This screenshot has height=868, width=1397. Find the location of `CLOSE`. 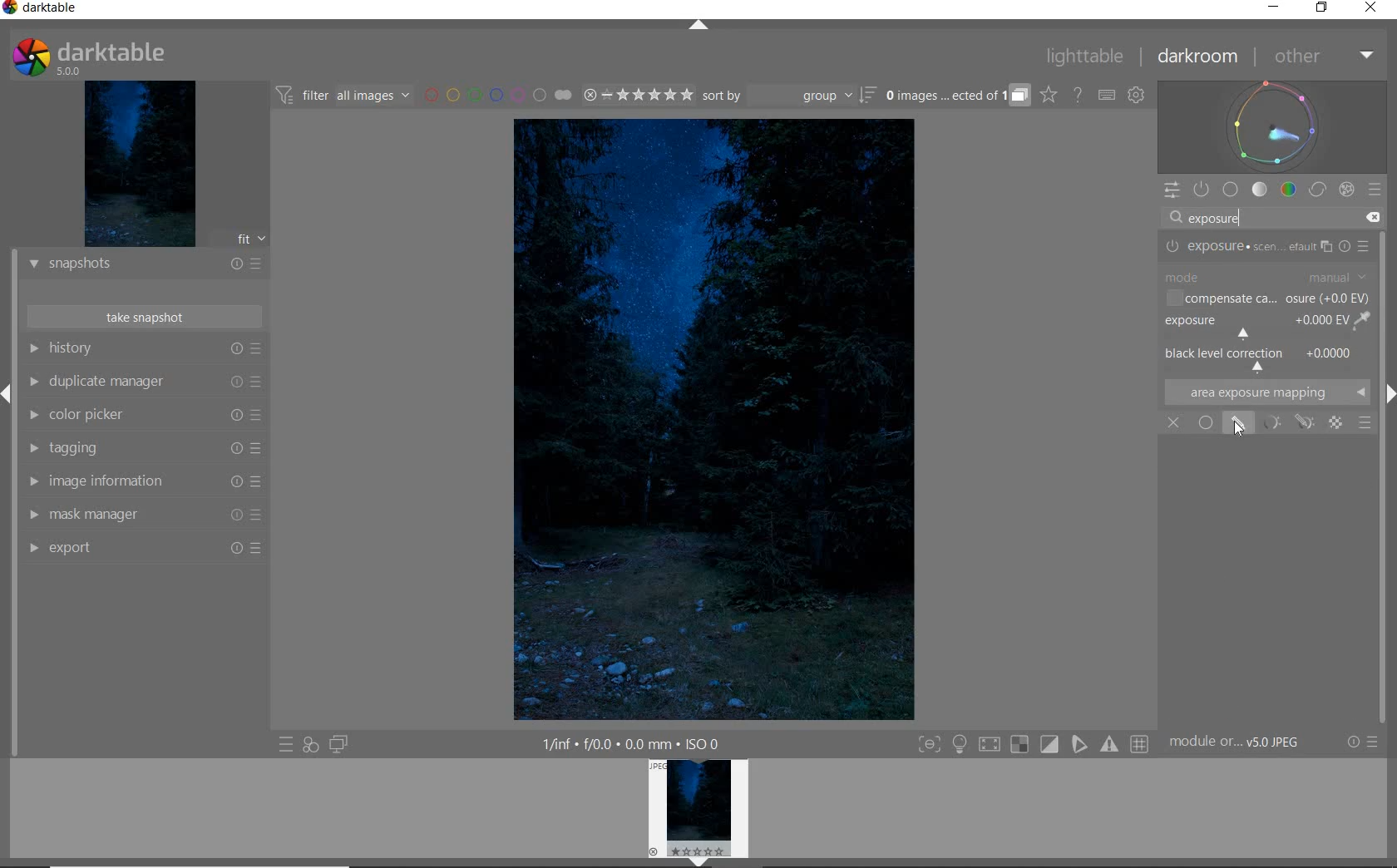

CLOSE is located at coordinates (1370, 10).